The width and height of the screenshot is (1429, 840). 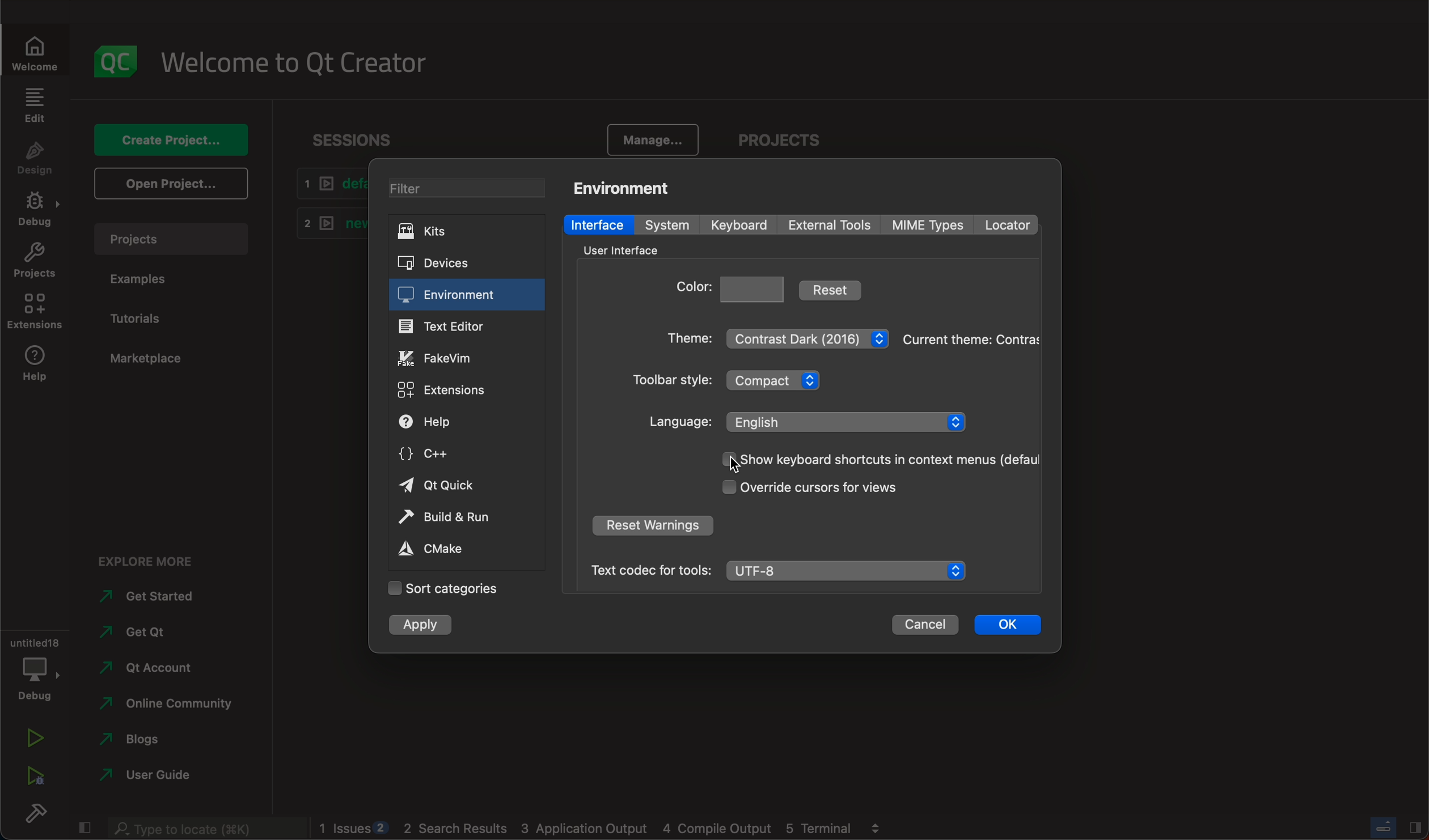 I want to click on toolbar style, so click(x=736, y=383).